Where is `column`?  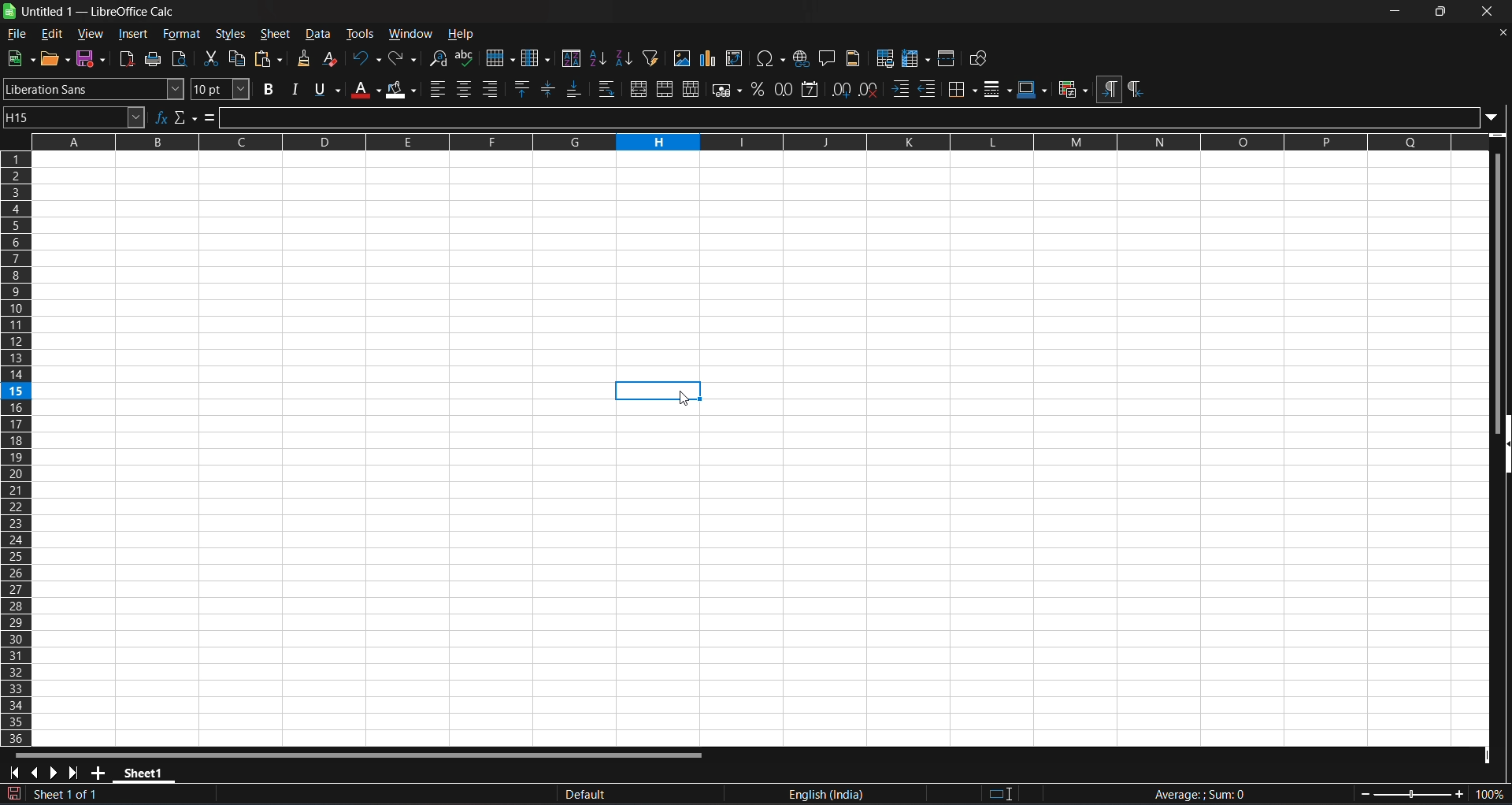
column is located at coordinates (536, 58).